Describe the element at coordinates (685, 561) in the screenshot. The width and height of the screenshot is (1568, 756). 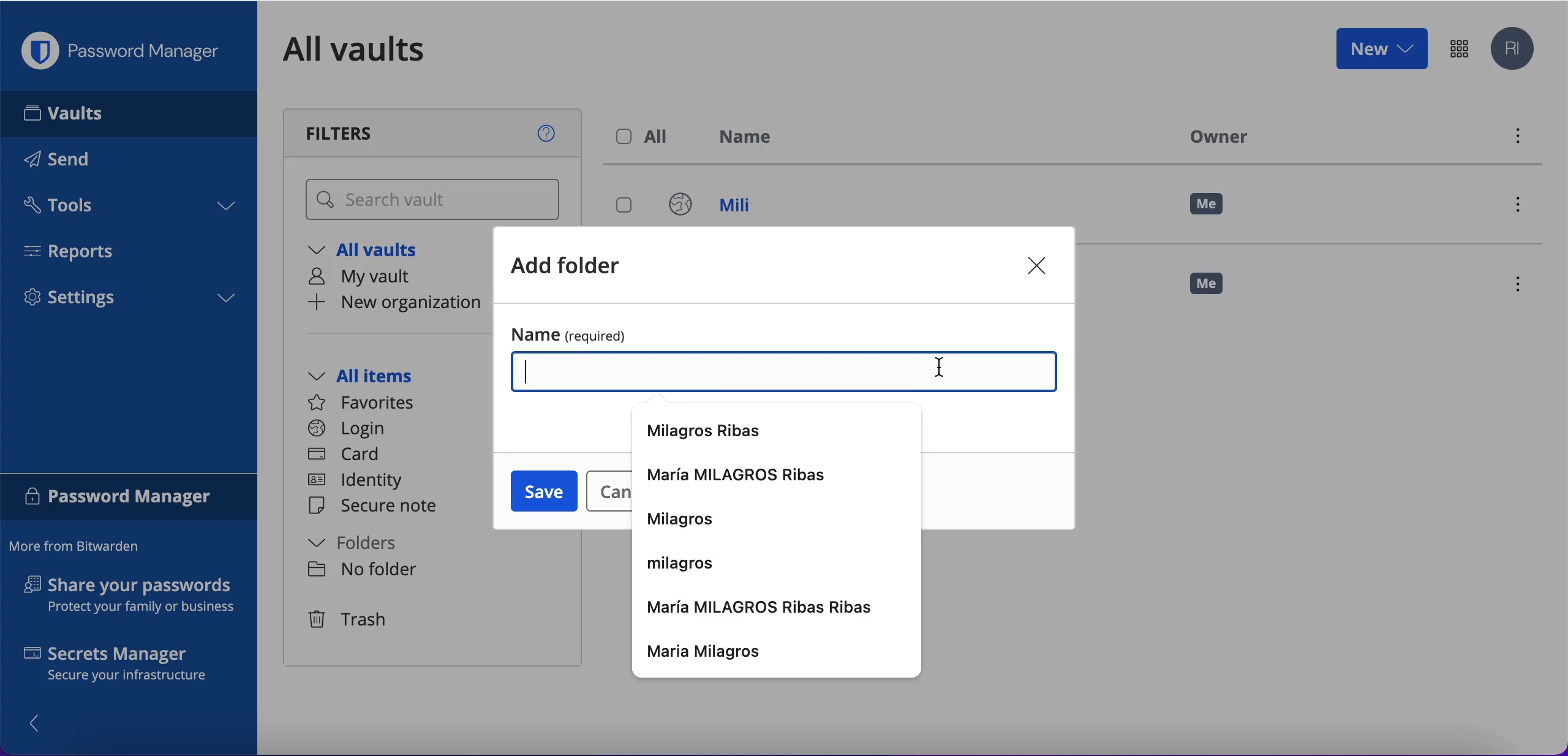
I see `milagros` at that location.